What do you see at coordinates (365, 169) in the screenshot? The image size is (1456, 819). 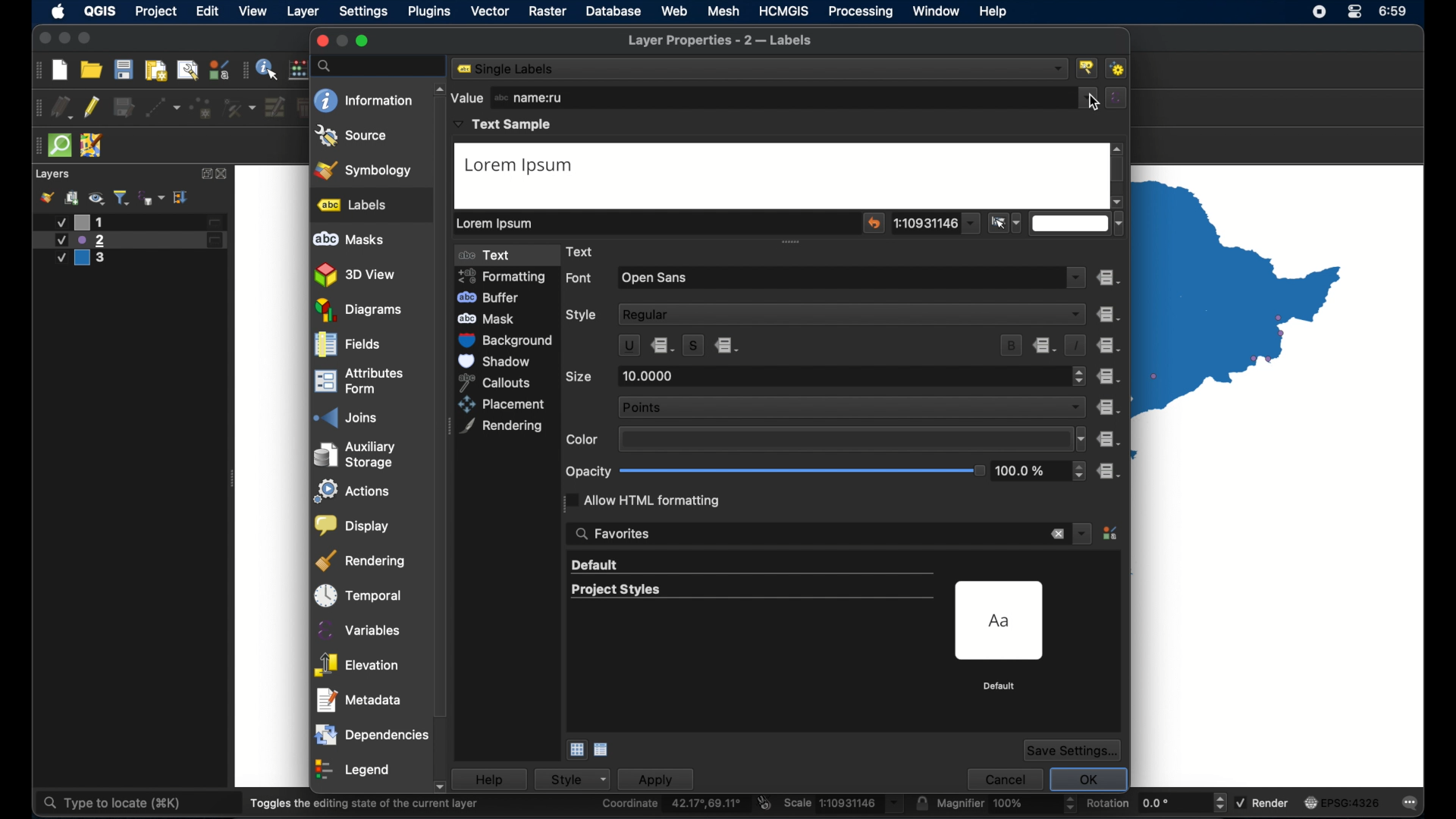 I see `symbology` at bounding box center [365, 169].